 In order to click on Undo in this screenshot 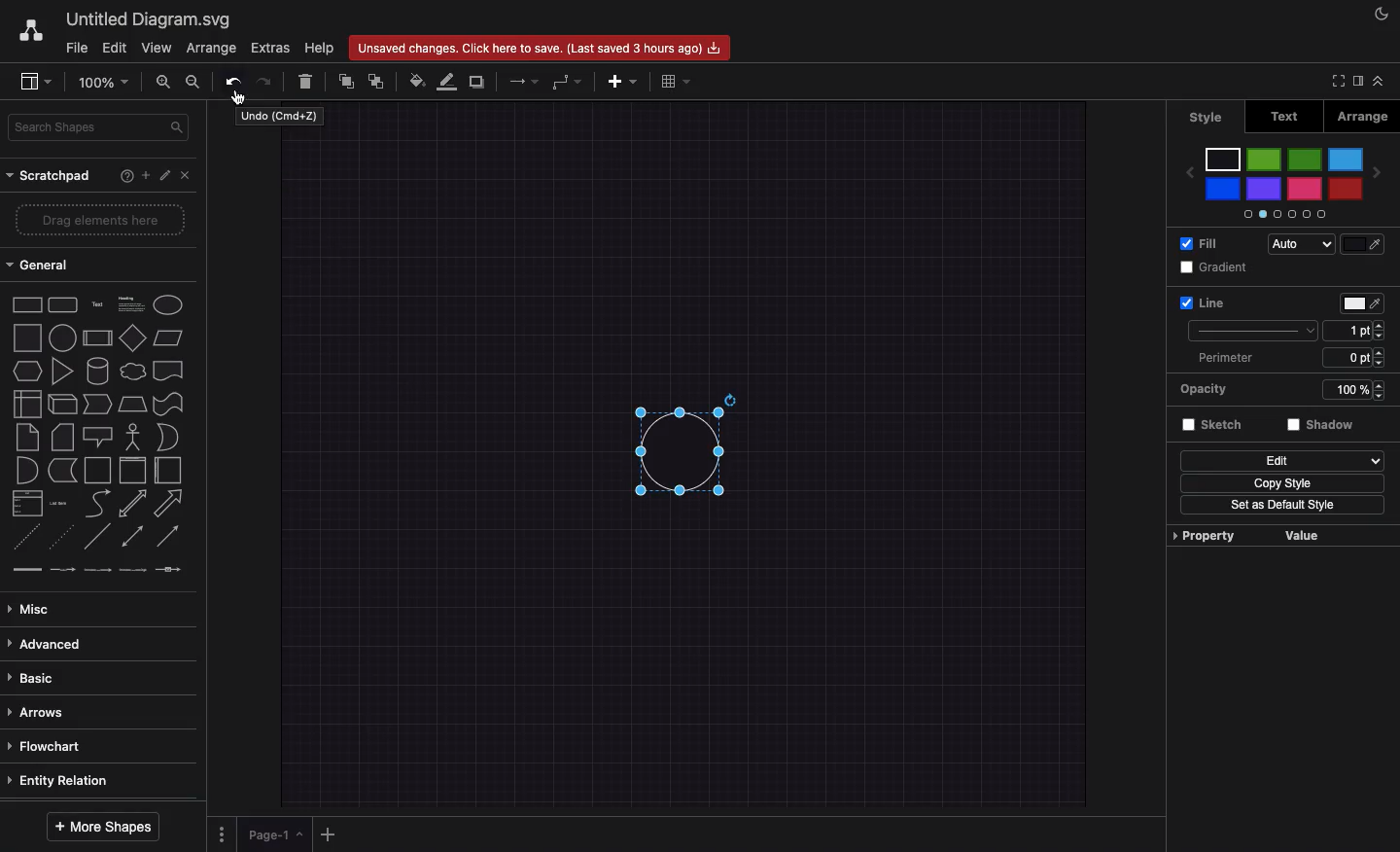, I will do `click(232, 79)`.